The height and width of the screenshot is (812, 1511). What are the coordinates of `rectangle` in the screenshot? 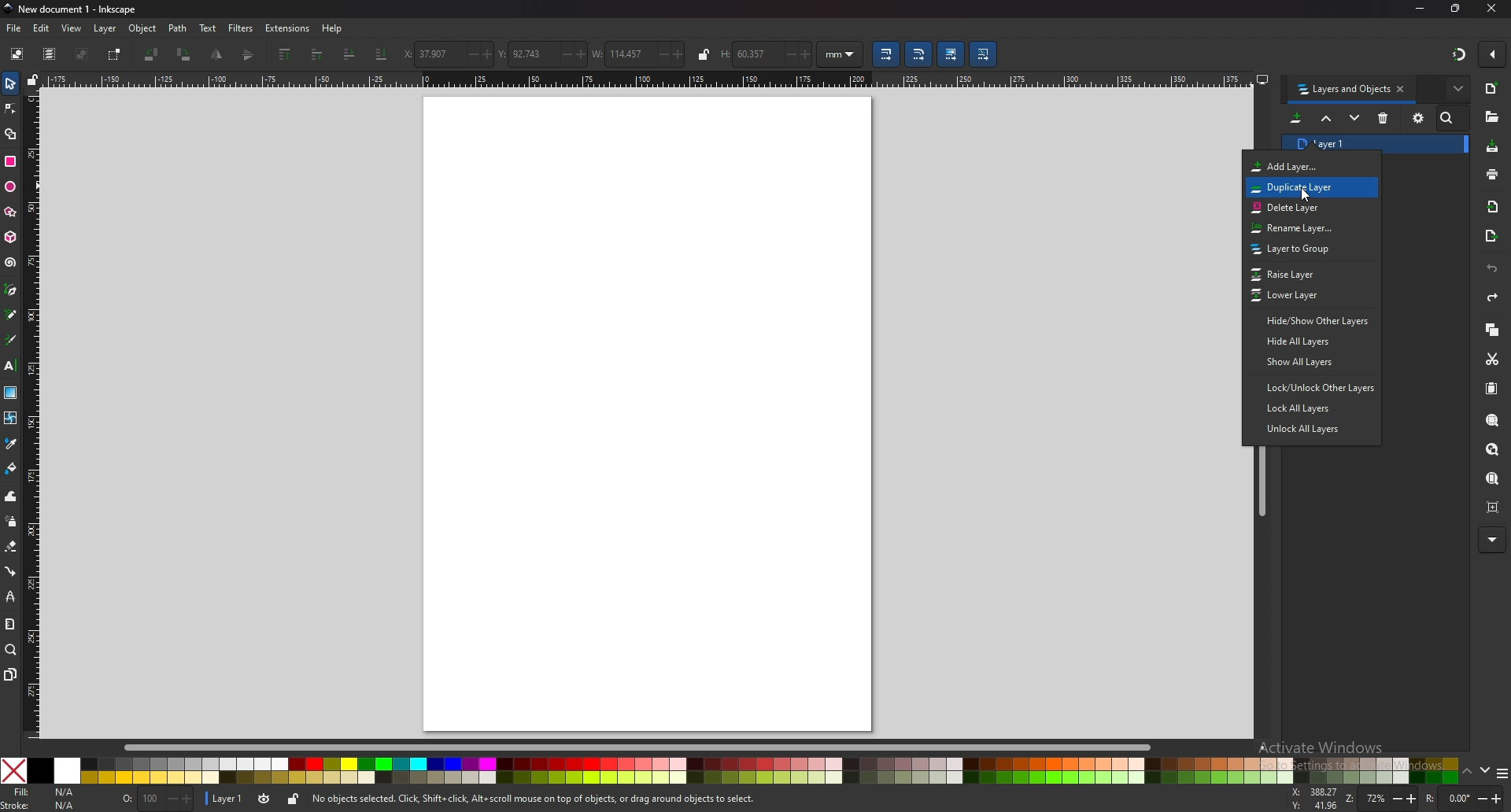 It's located at (10, 161).